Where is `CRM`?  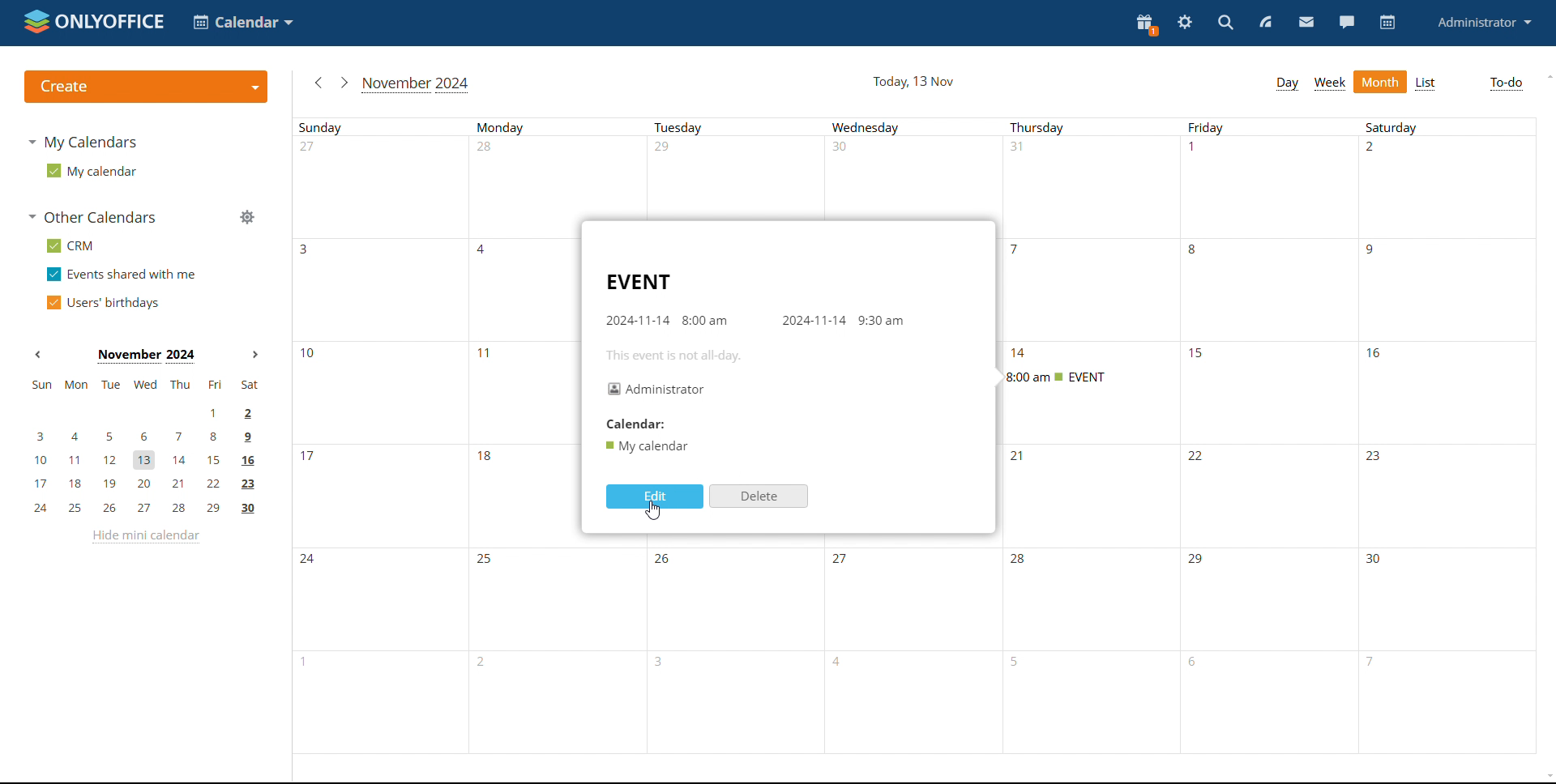
CRM is located at coordinates (71, 245).